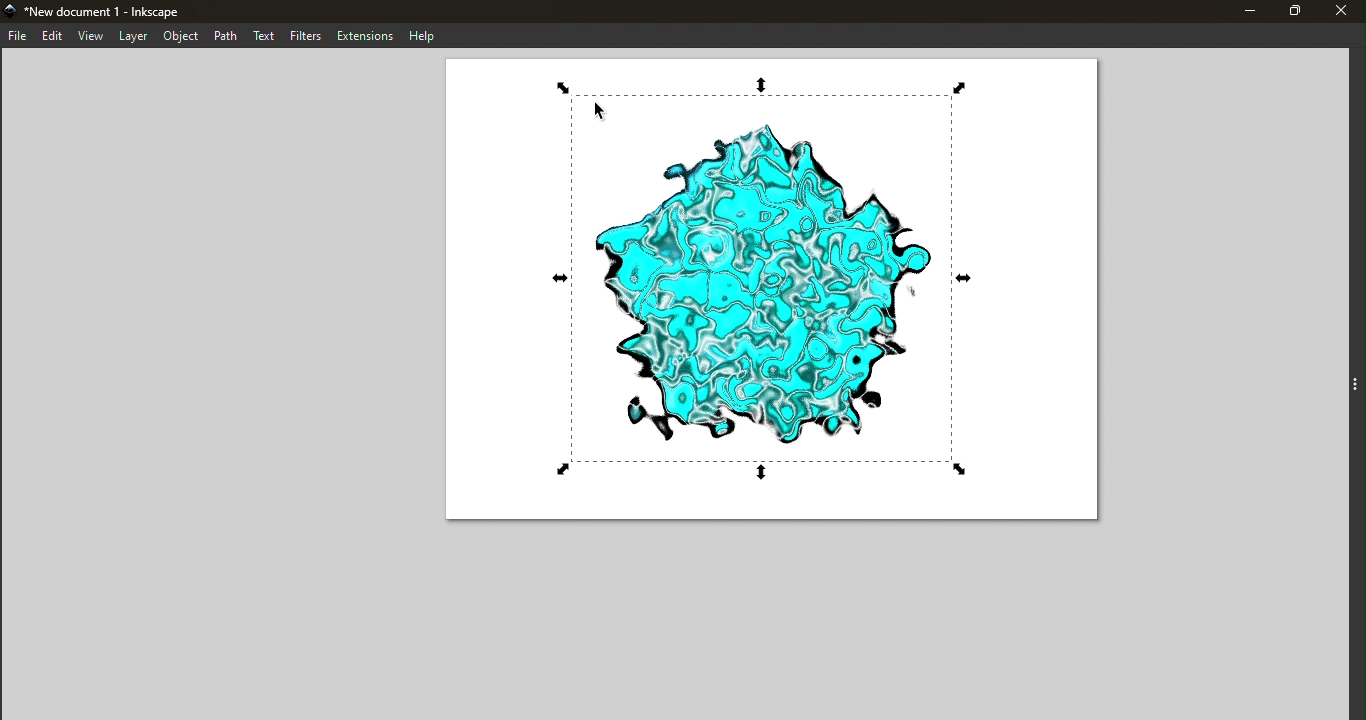 Image resolution: width=1366 pixels, height=720 pixels. Describe the element at coordinates (366, 34) in the screenshot. I see `Extensions` at that location.